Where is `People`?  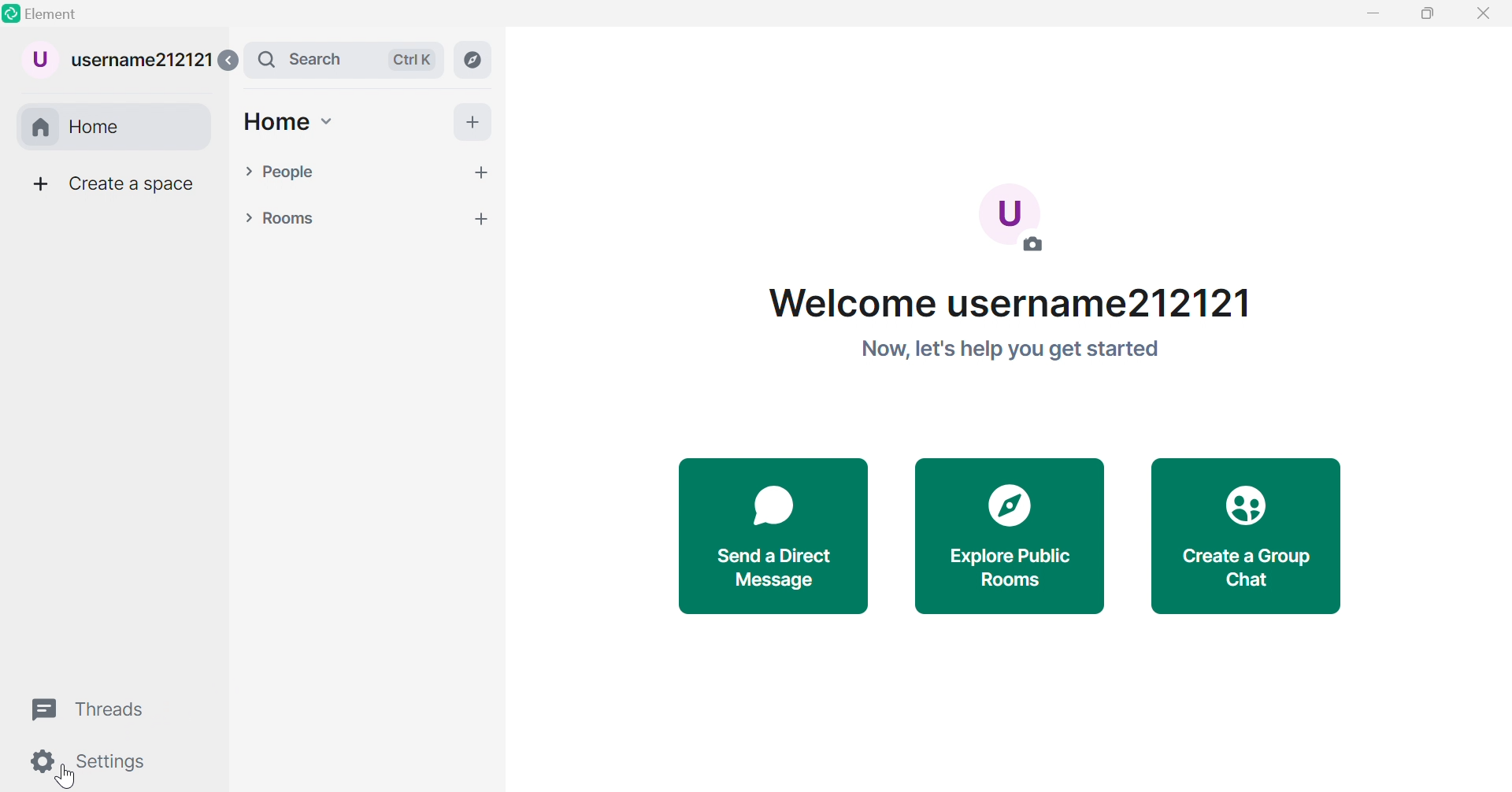
People is located at coordinates (280, 172).